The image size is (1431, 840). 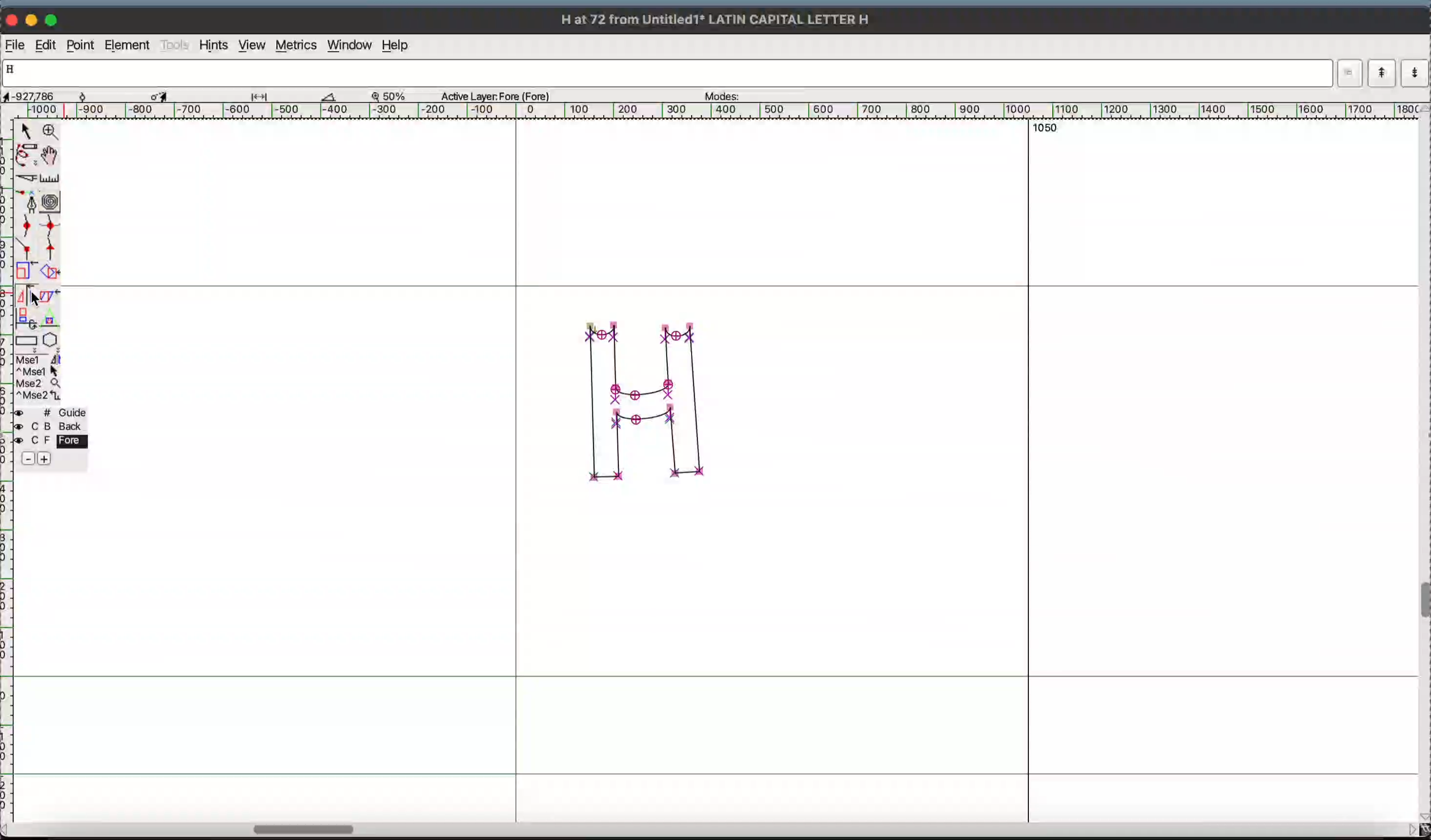 What do you see at coordinates (491, 96) in the screenshot?
I see `Active Layer: Fore (Fore)` at bounding box center [491, 96].